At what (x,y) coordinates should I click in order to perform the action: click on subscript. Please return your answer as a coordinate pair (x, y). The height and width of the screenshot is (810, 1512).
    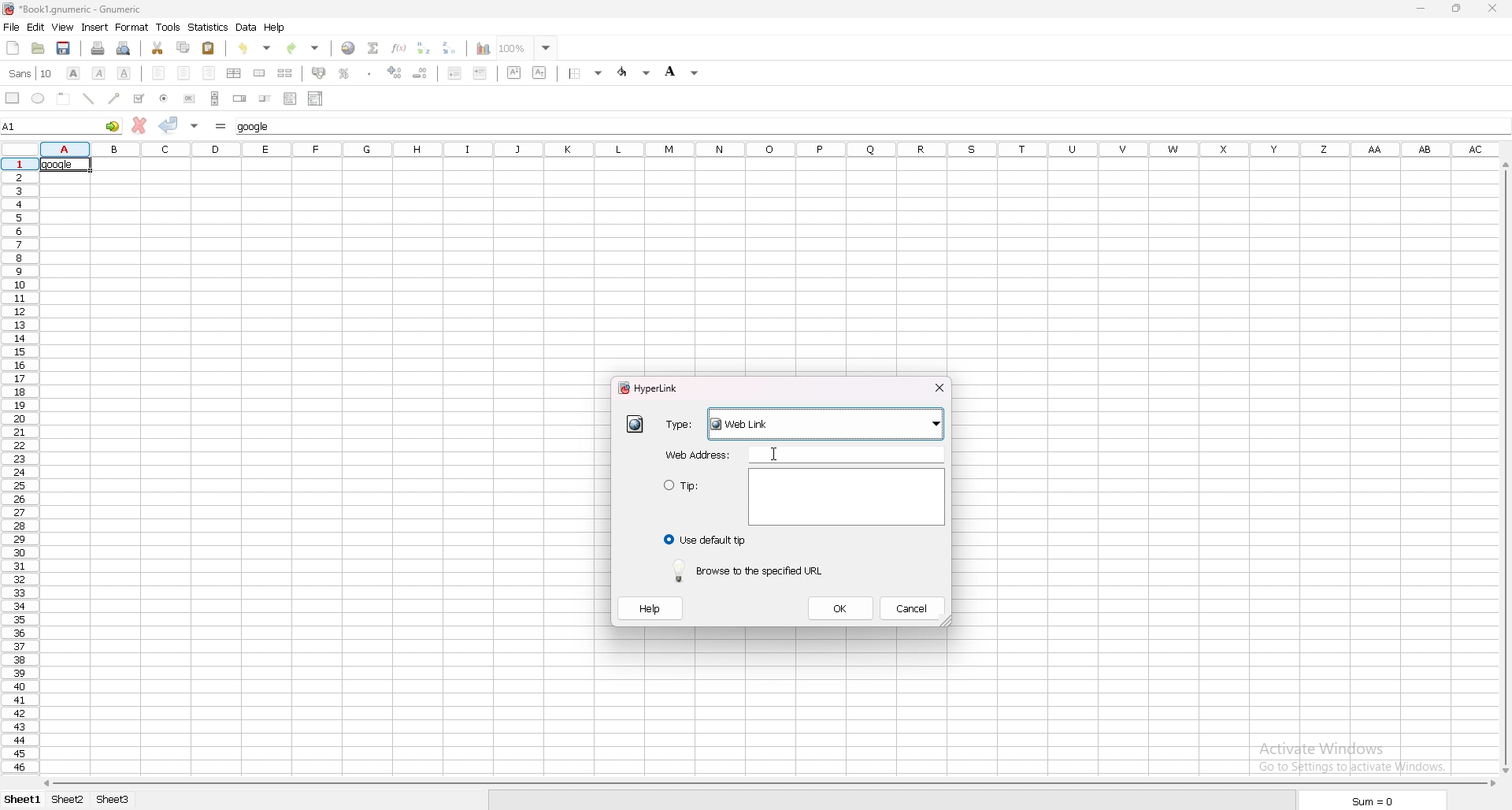
    Looking at the image, I should click on (541, 72).